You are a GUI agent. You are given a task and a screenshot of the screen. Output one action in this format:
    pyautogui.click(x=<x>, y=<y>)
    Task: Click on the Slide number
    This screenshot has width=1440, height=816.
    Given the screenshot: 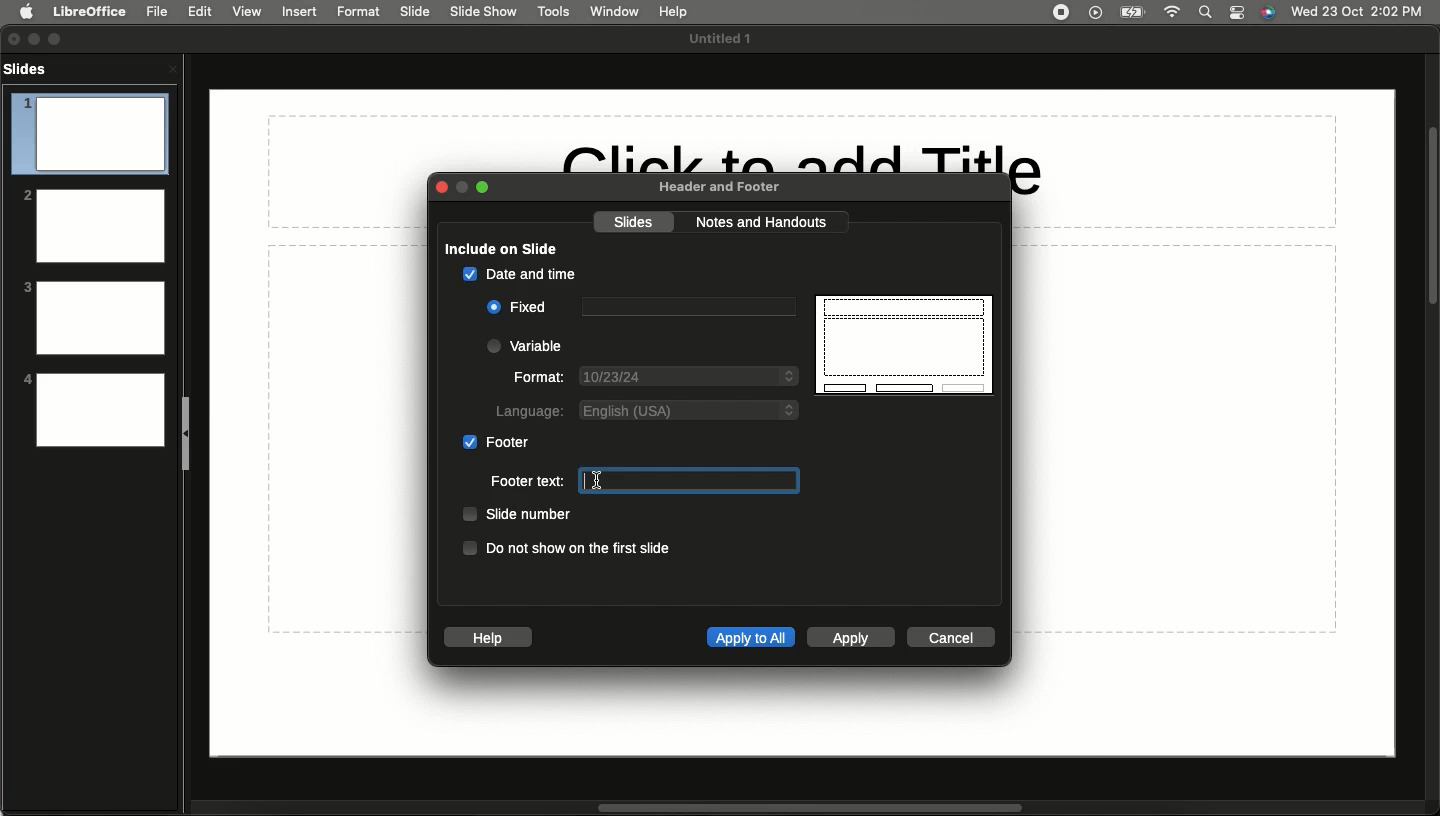 What is the action you would take?
    pyautogui.click(x=514, y=515)
    